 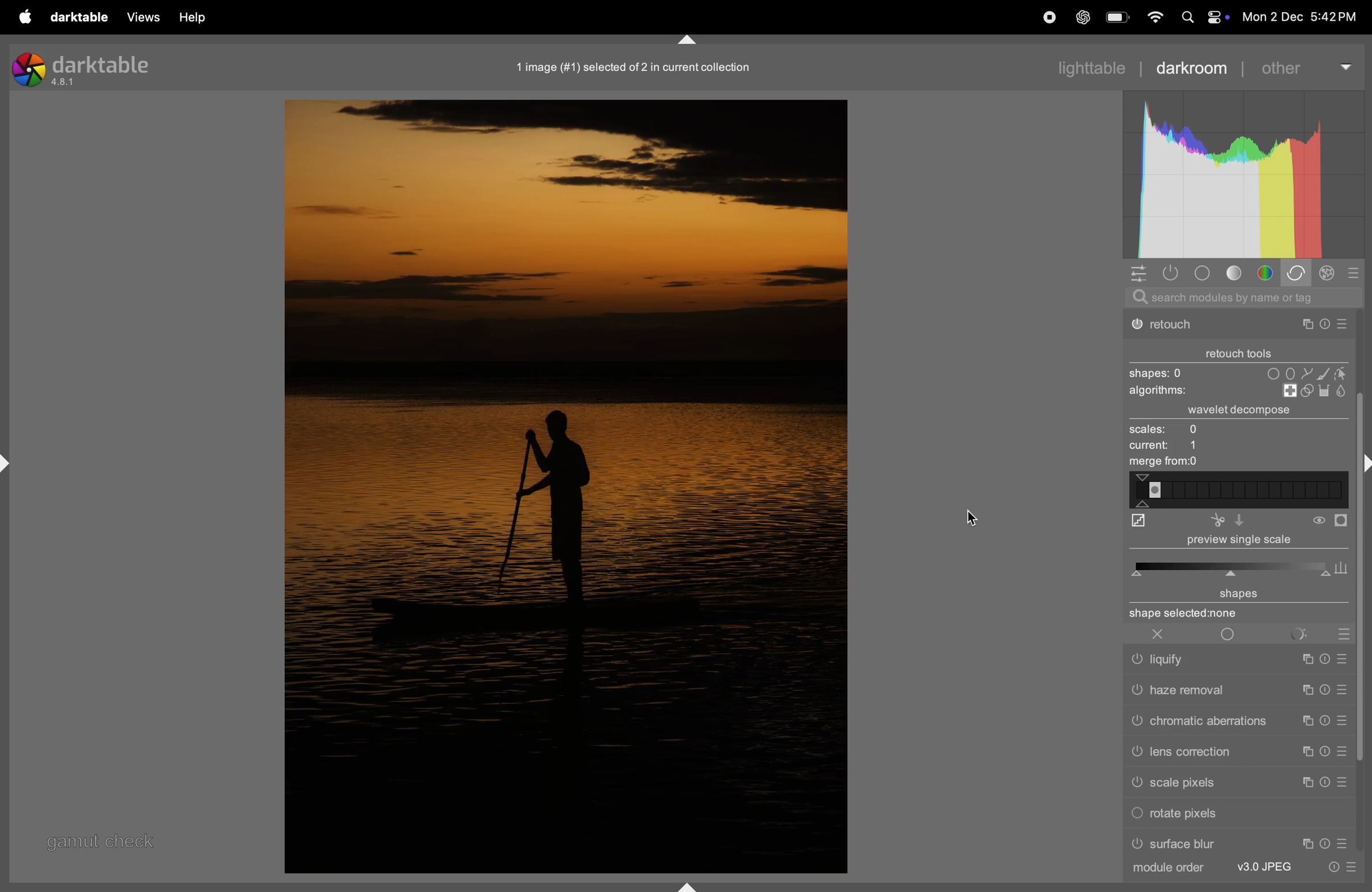 What do you see at coordinates (80, 17) in the screenshot?
I see `darktable` at bounding box center [80, 17].